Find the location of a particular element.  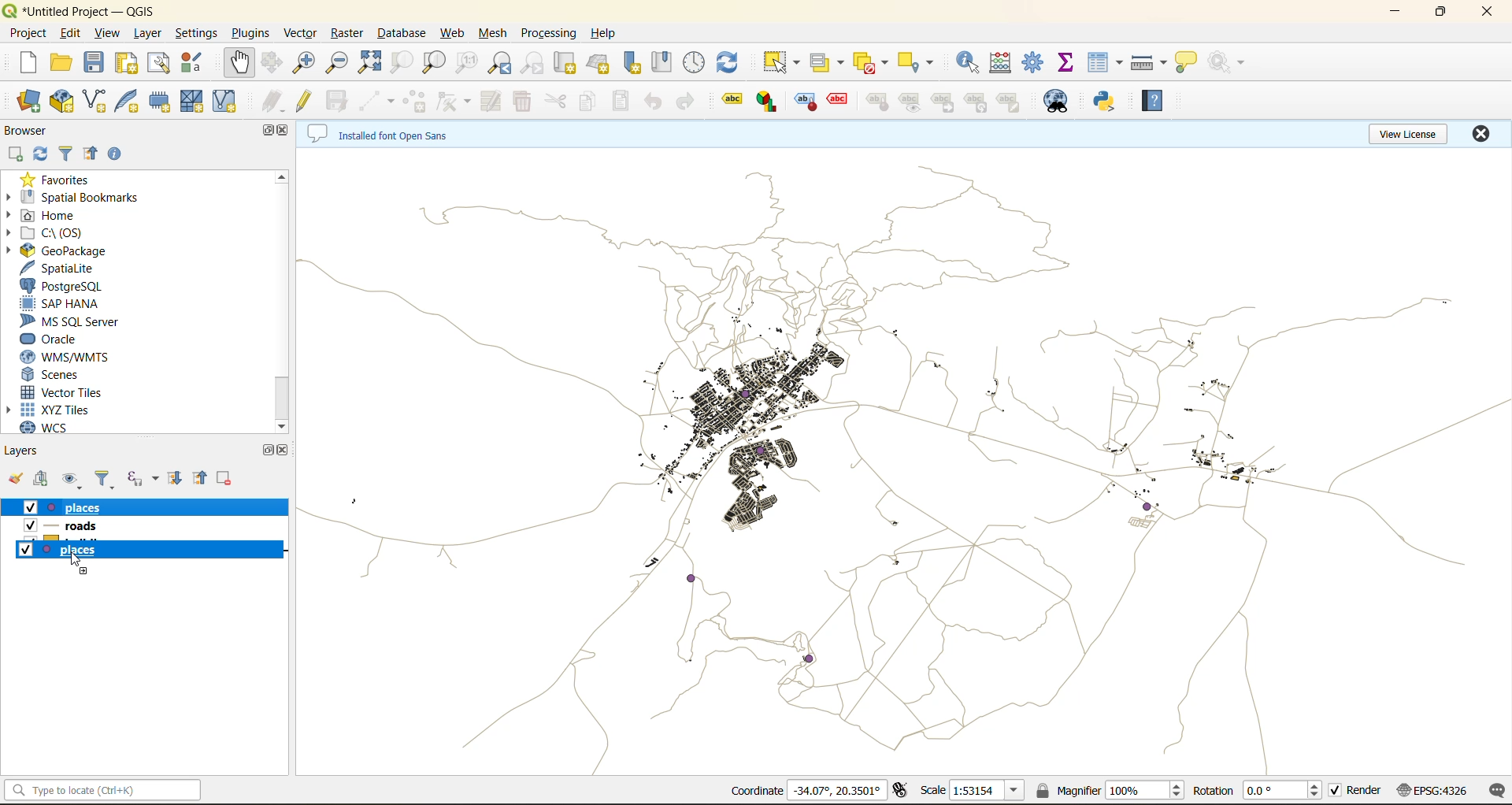

rotation is located at coordinates (1257, 790).